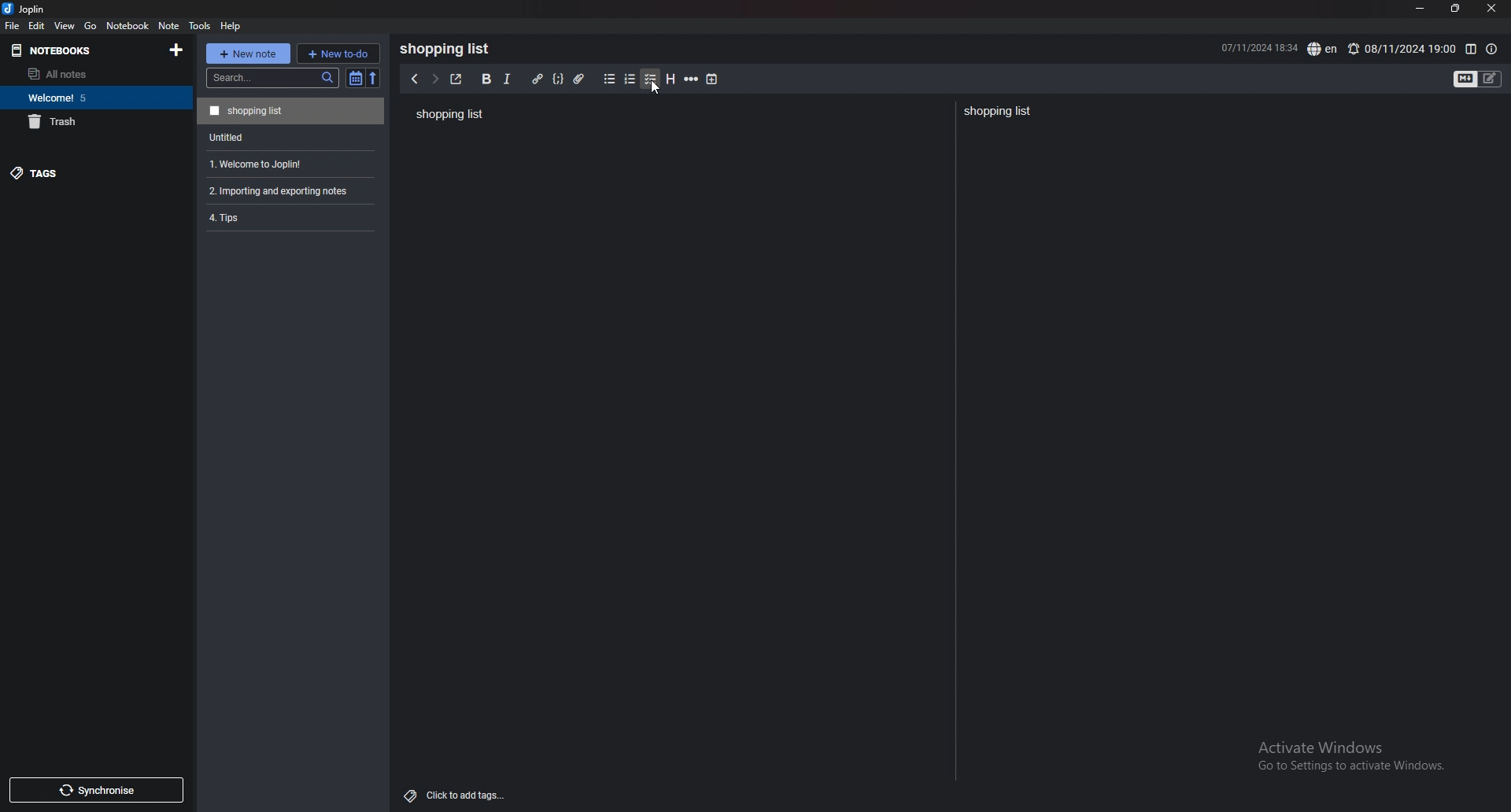  I want to click on 07/11/2024 1833, so click(1258, 47).